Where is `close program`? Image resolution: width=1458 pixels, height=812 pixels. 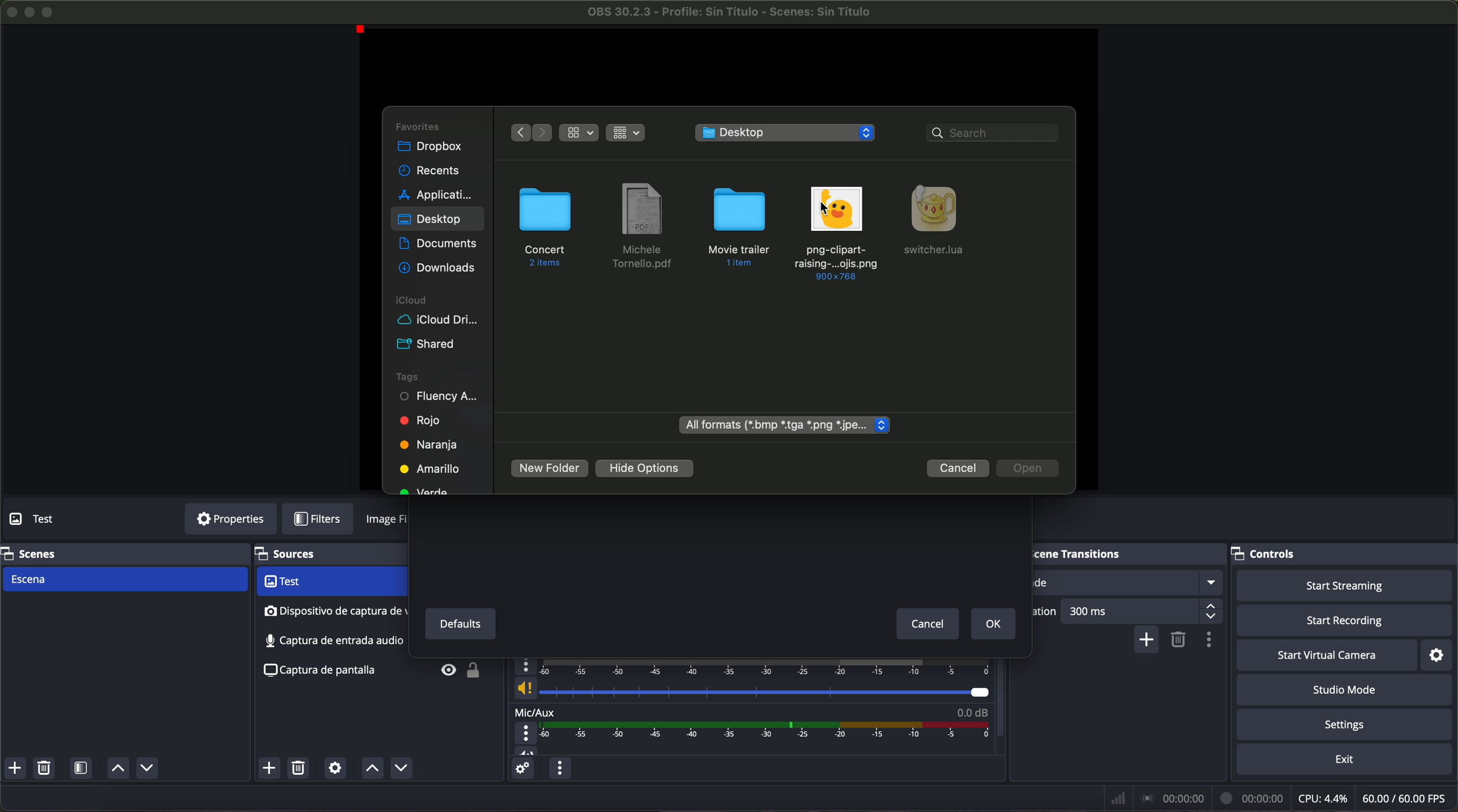
close program is located at coordinates (10, 11).